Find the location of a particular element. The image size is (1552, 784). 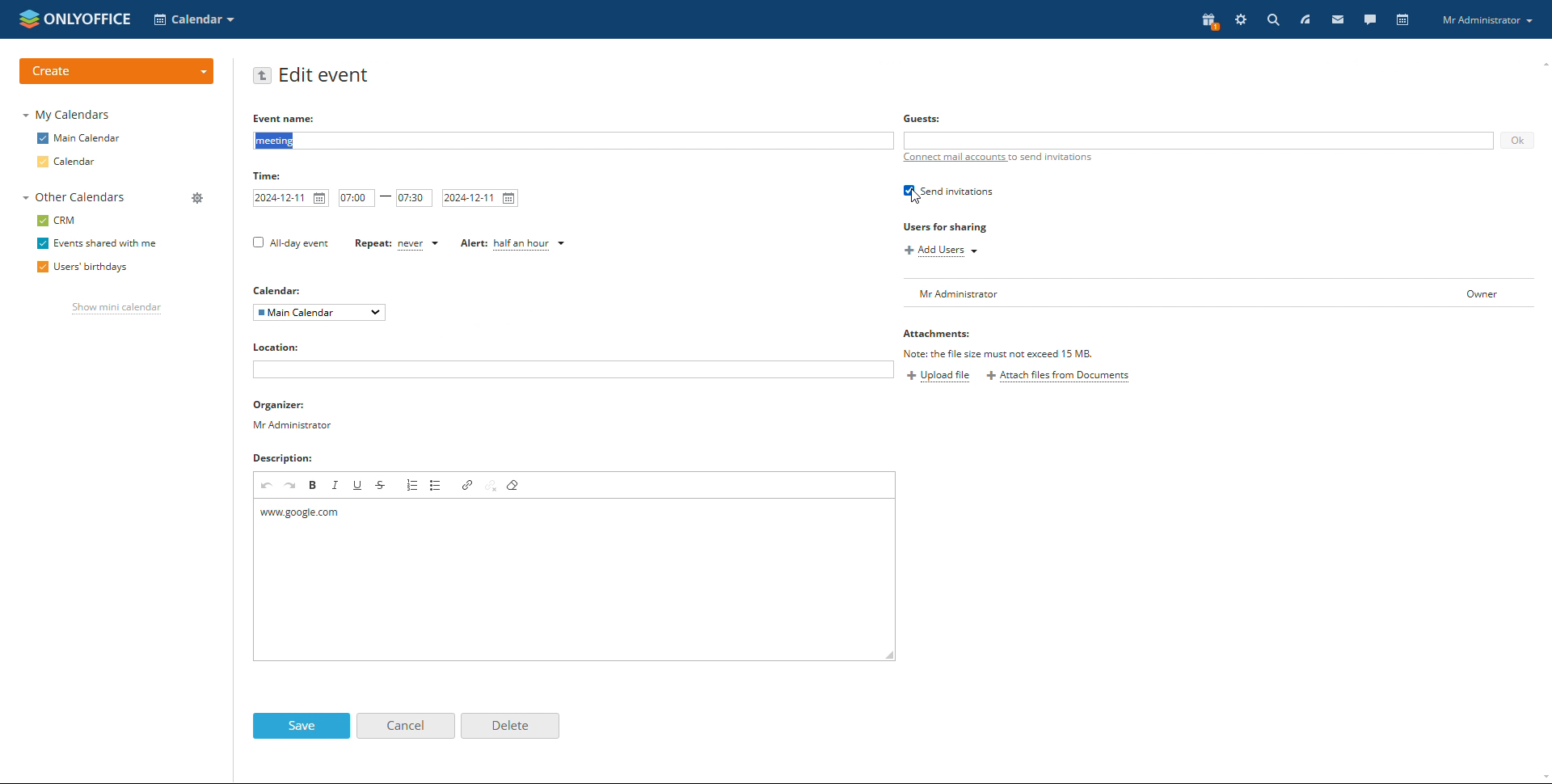

go back is located at coordinates (263, 76).